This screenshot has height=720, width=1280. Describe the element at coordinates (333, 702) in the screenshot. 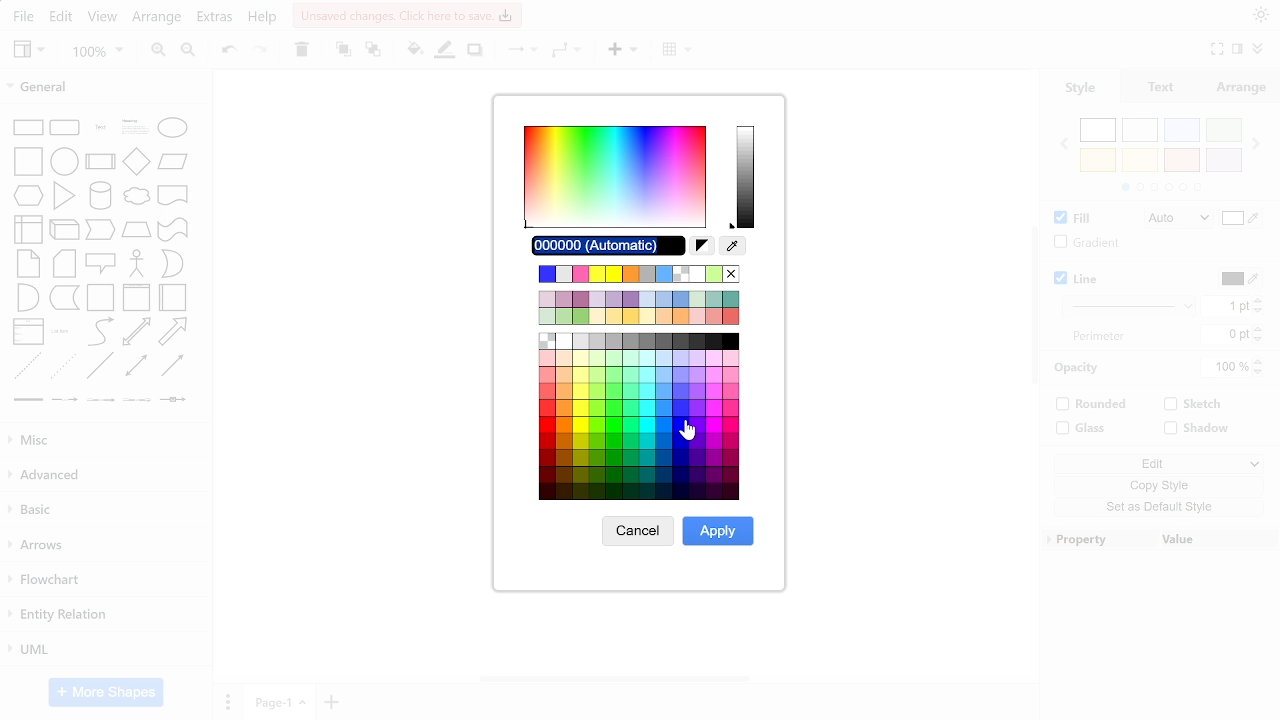

I see `insert page` at that location.